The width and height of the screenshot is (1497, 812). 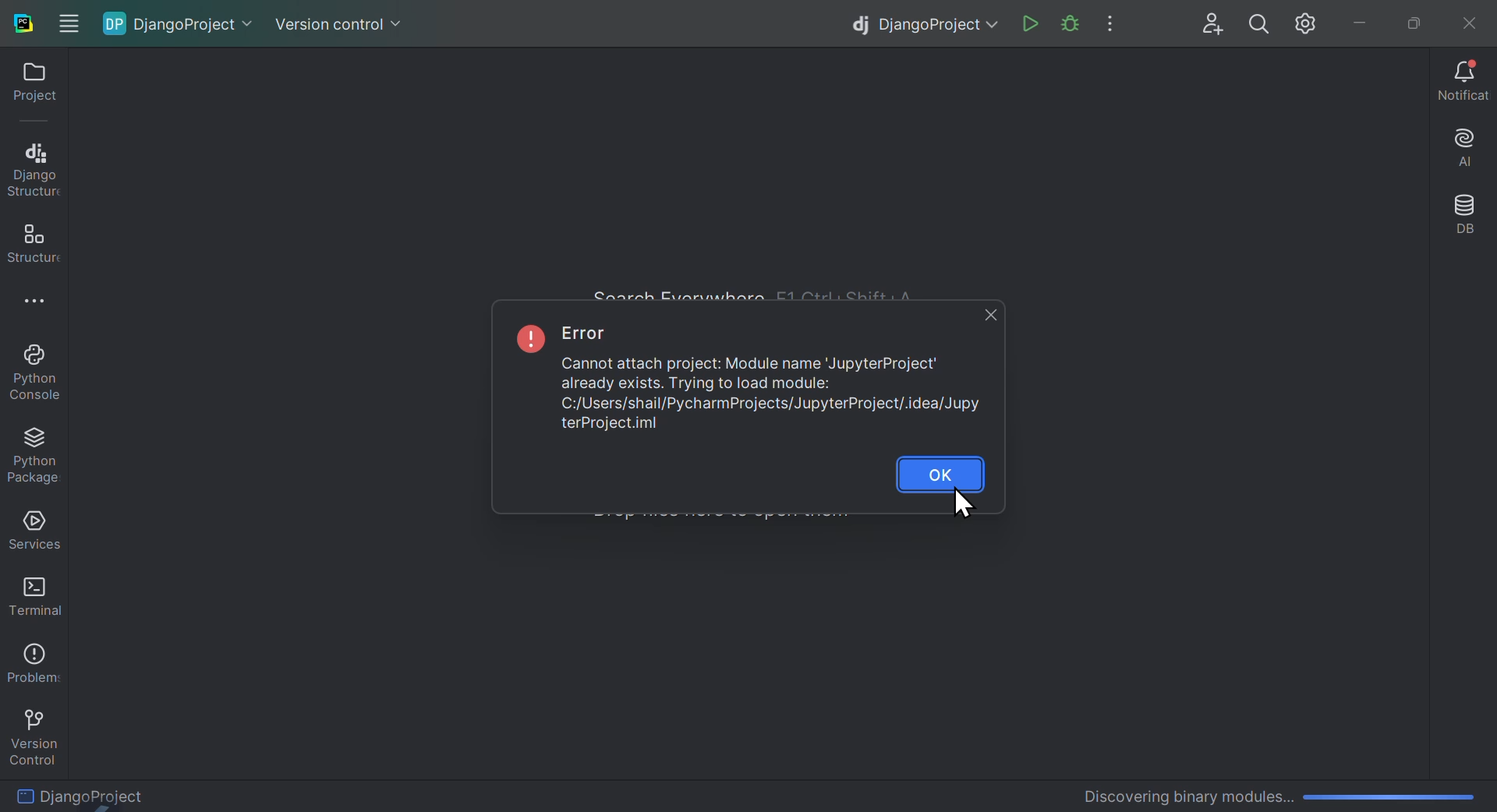 I want to click on More options, so click(x=46, y=305).